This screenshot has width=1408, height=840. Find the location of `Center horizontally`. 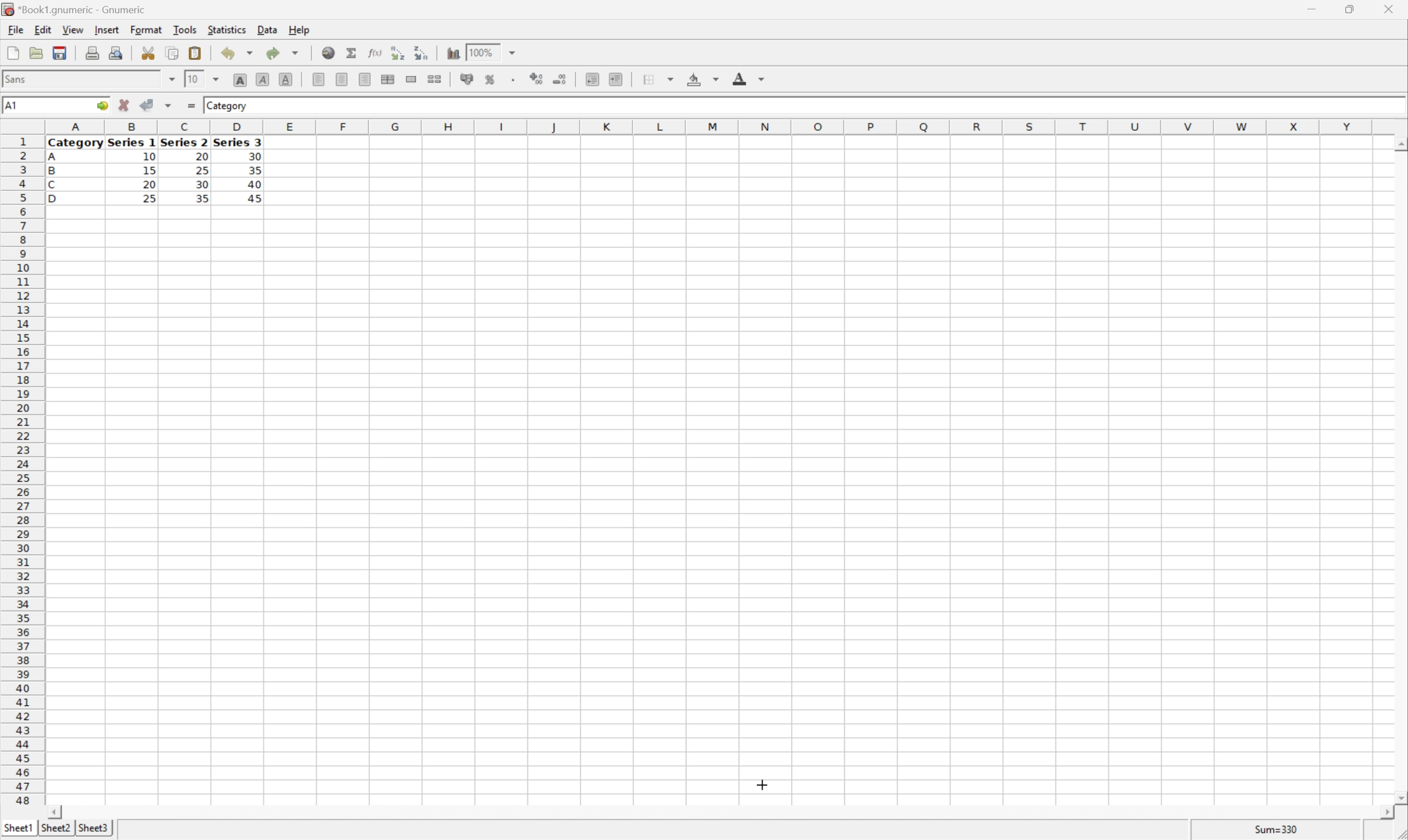

Center horizontally is located at coordinates (343, 78).